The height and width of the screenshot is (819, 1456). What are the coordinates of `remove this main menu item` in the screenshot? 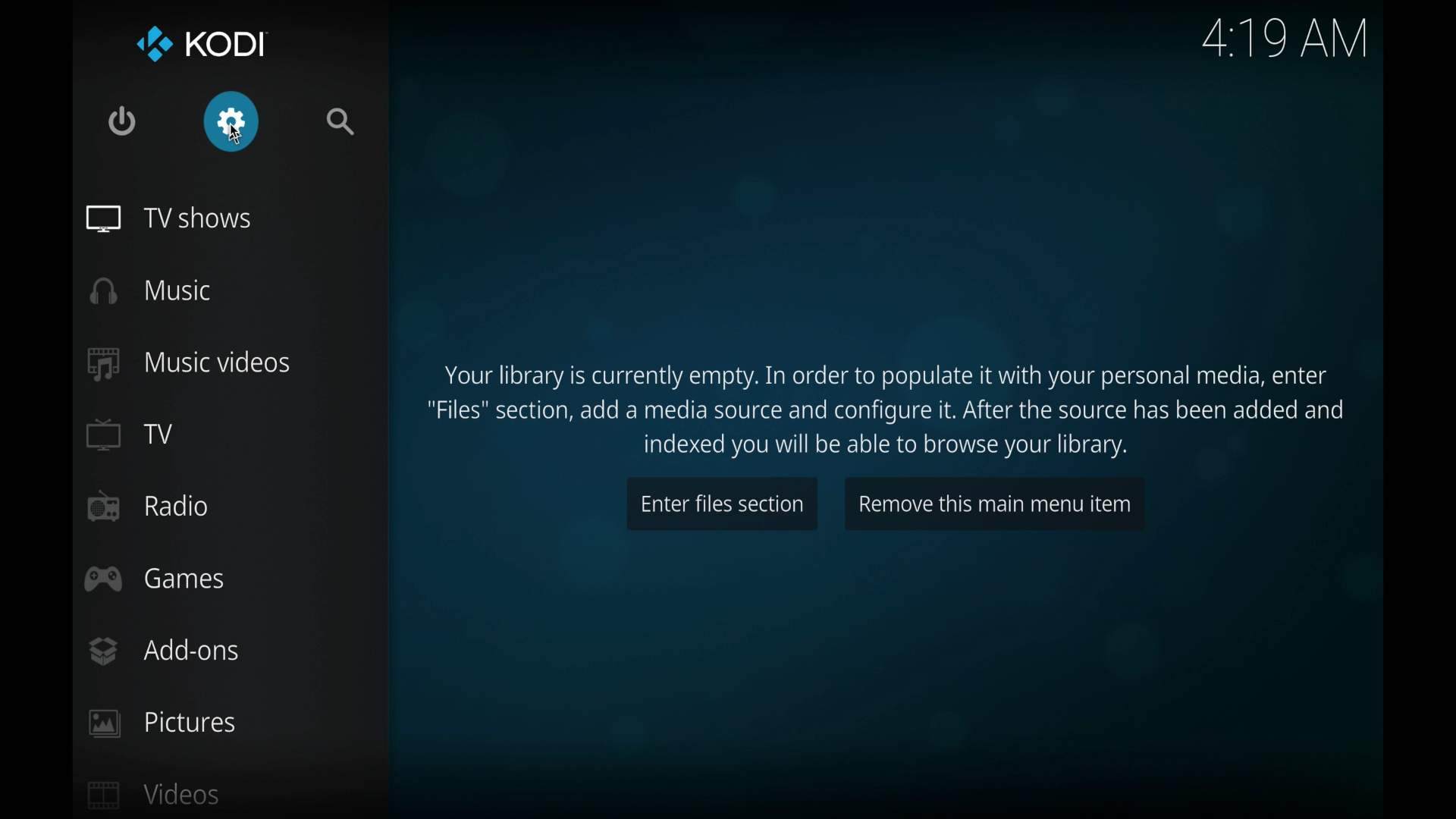 It's located at (993, 502).